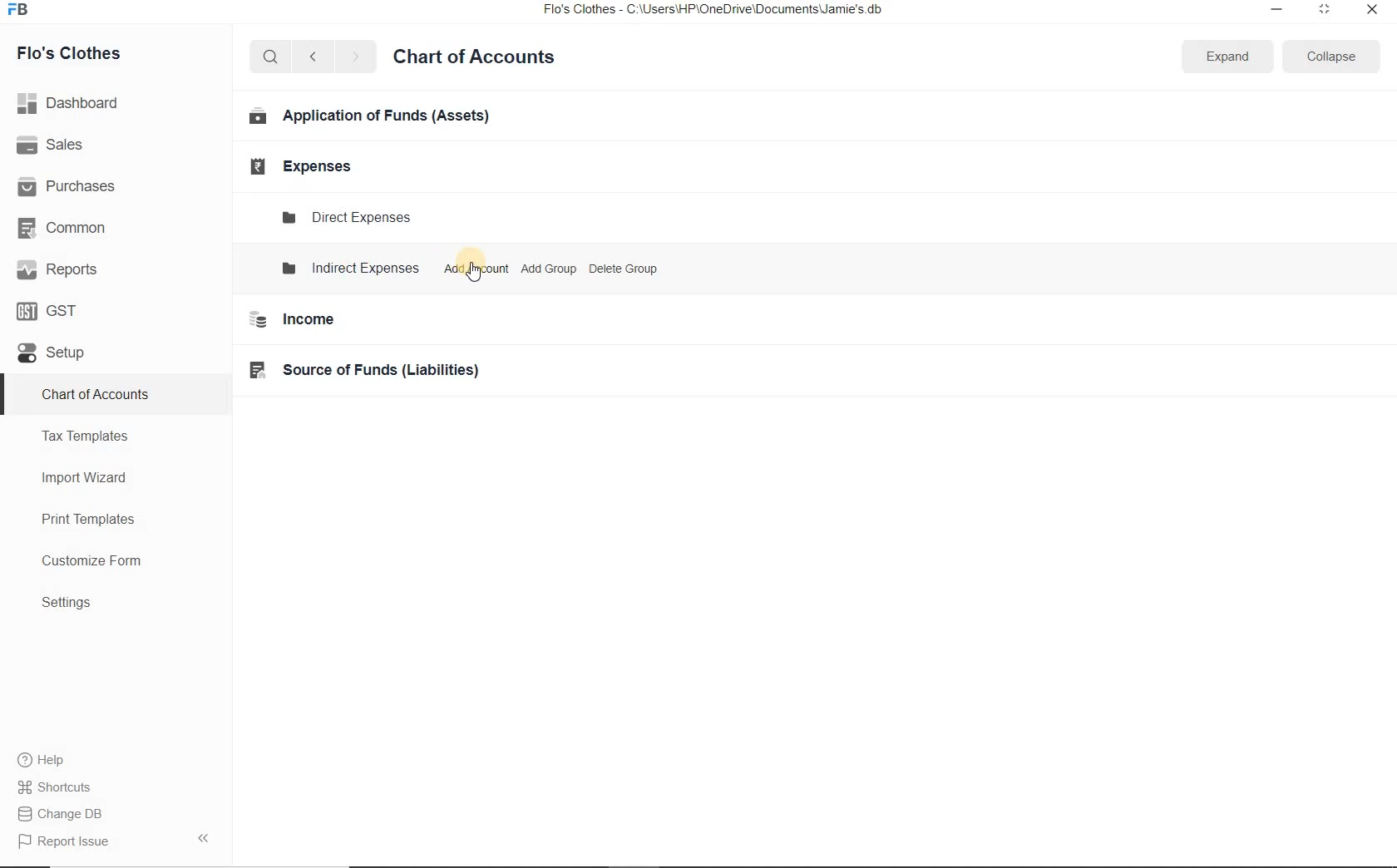  What do you see at coordinates (67, 227) in the screenshot?
I see `Common` at bounding box center [67, 227].